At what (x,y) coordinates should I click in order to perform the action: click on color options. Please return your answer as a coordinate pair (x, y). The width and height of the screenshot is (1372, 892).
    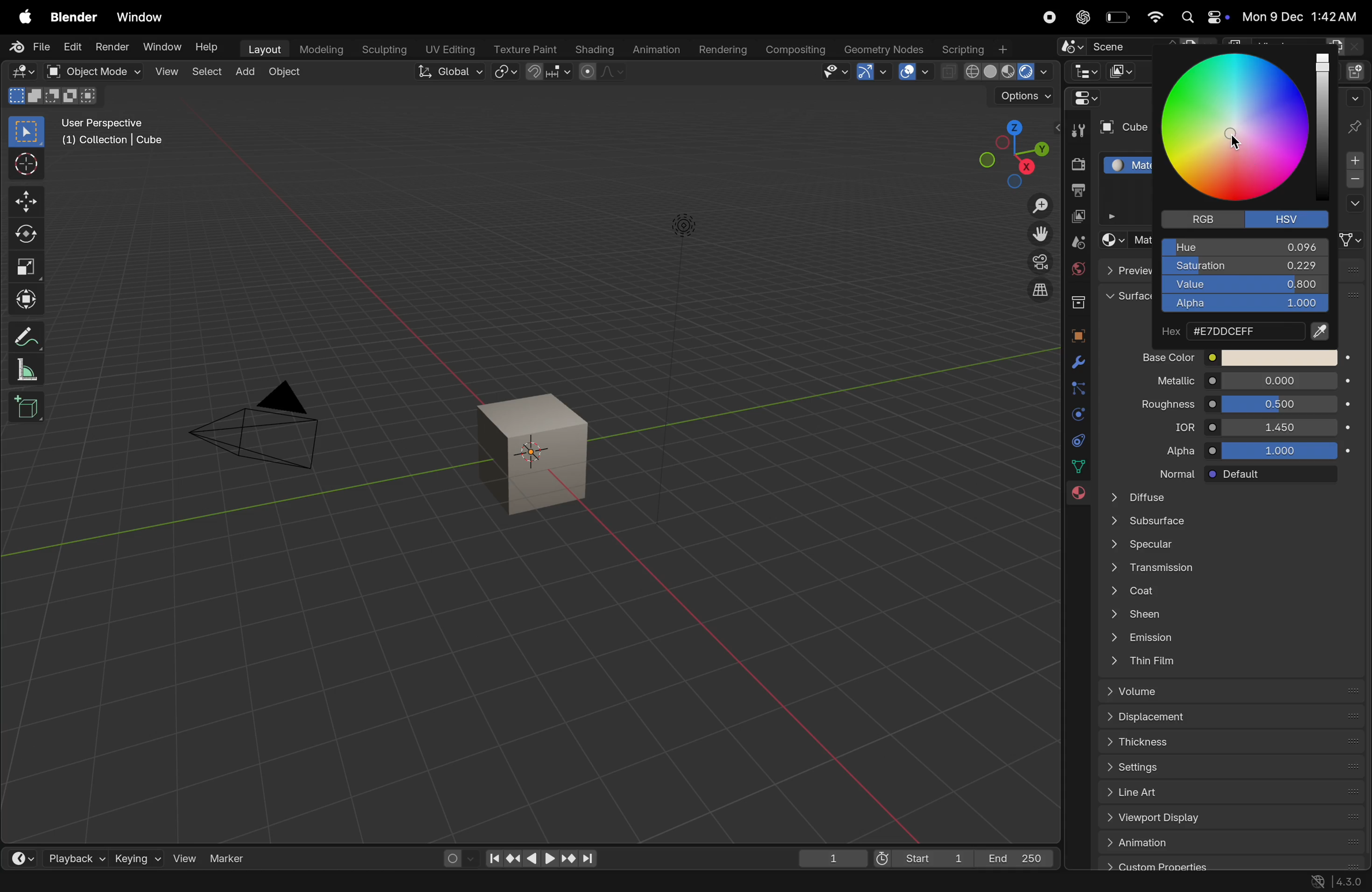
    Looking at the image, I should click on (1280, 357).